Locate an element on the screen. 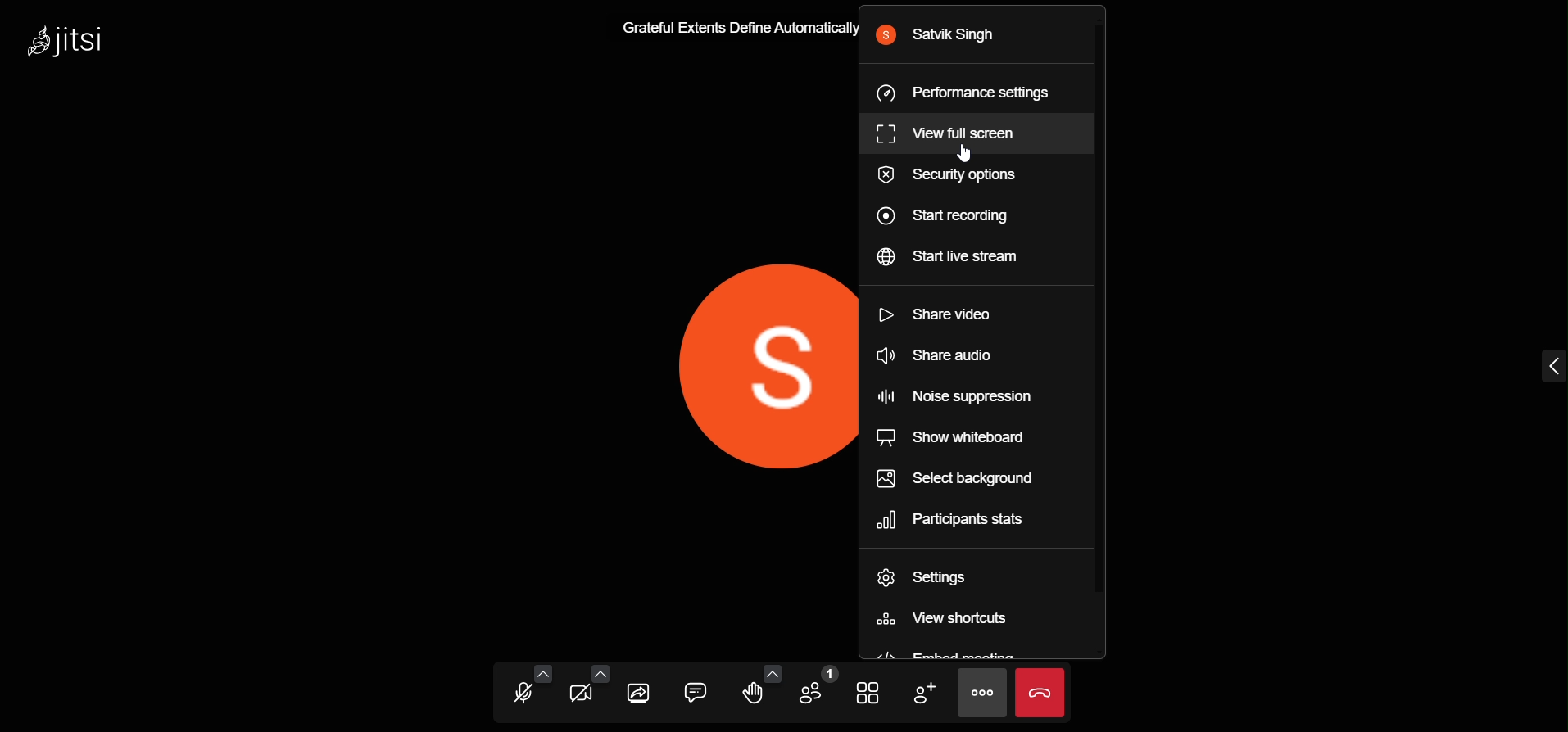 This screenshot has width=1568, height=732. invite people is located at coordinates (925, 694).